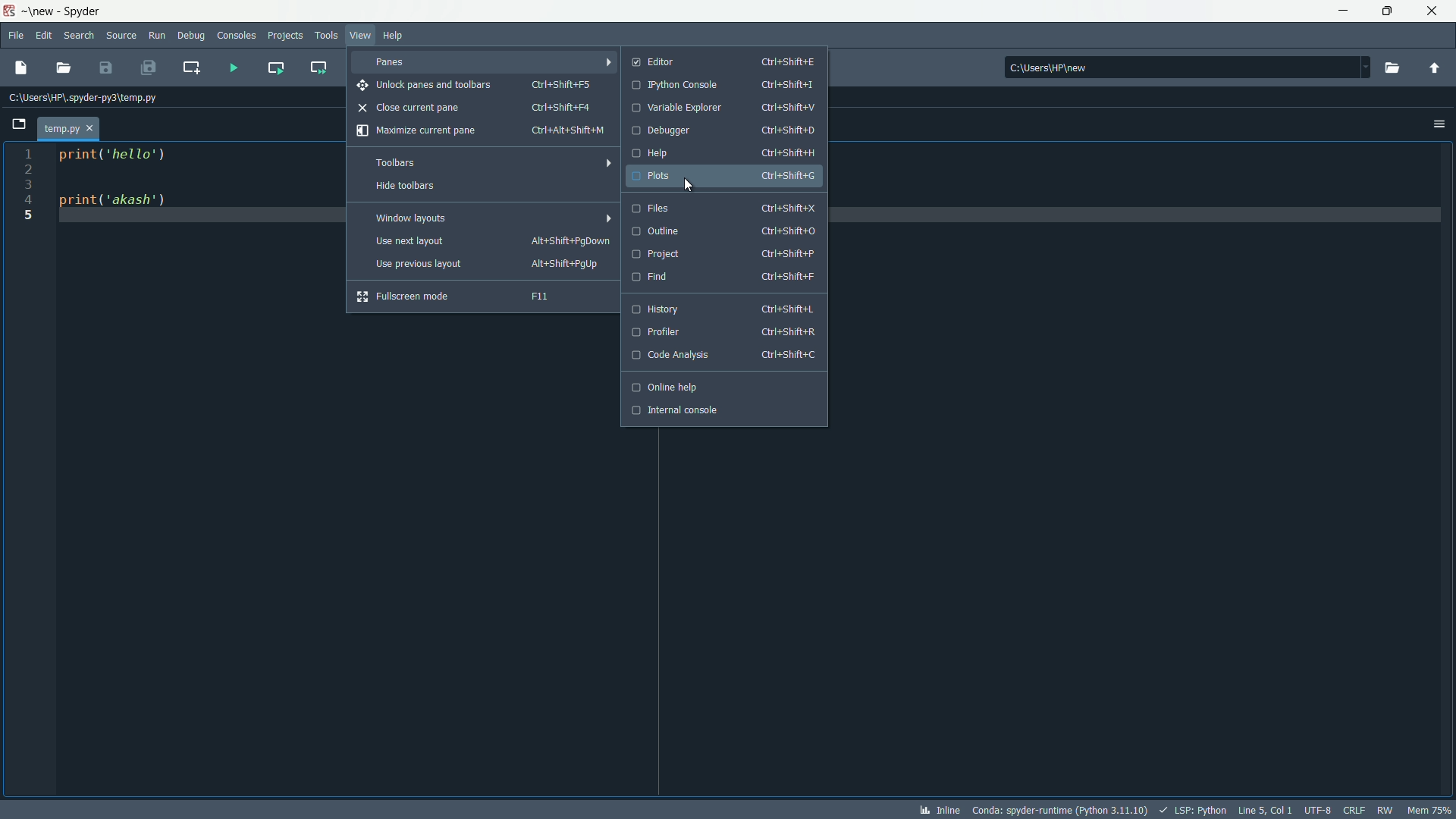 The image size is (1456, 819). What do you see at coordinates (480, 132) in the screenshot?
I see `maximize current pane` at bounding box center [480, 132].